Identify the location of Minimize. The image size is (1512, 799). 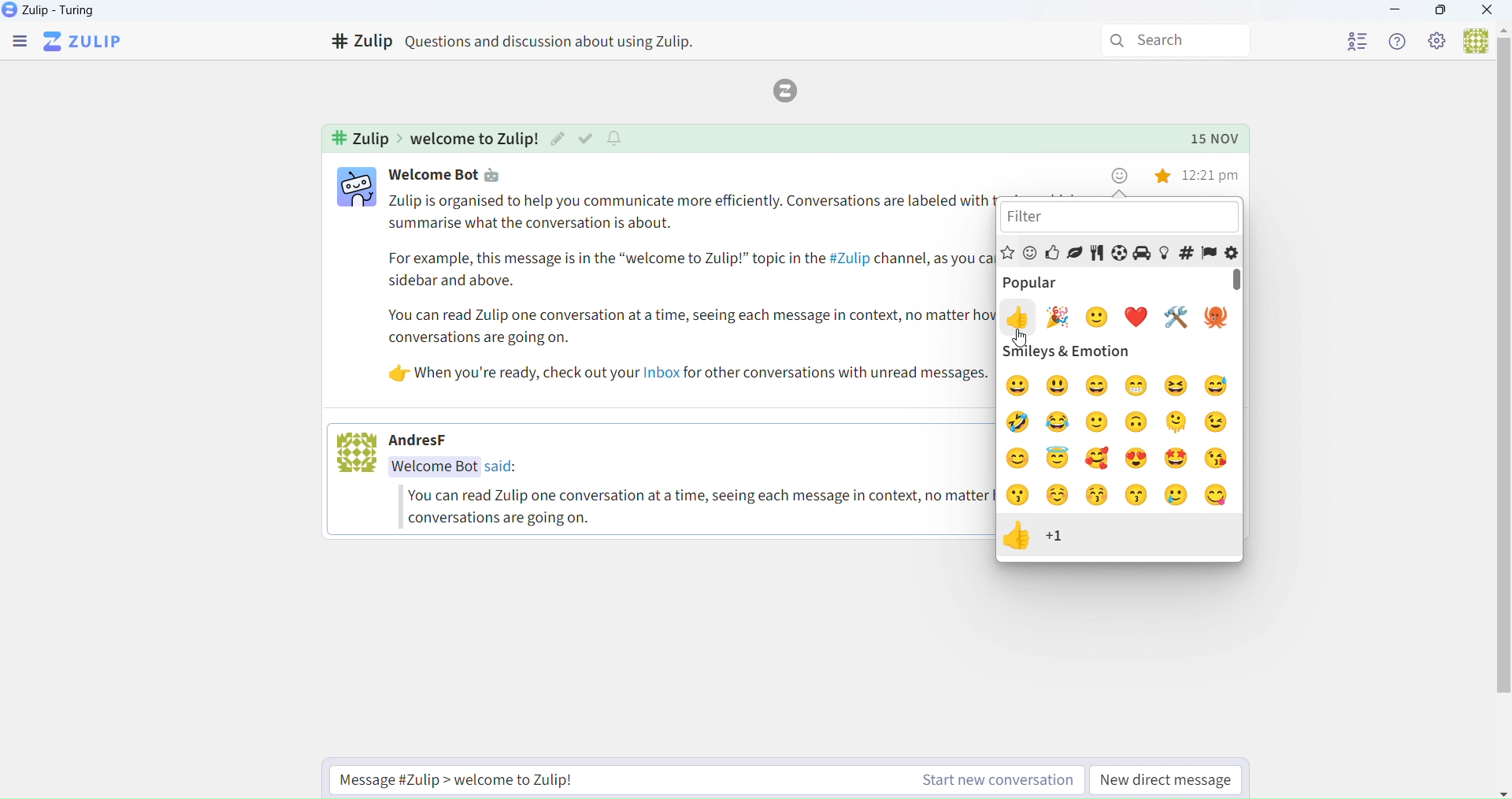
(1399, 11).